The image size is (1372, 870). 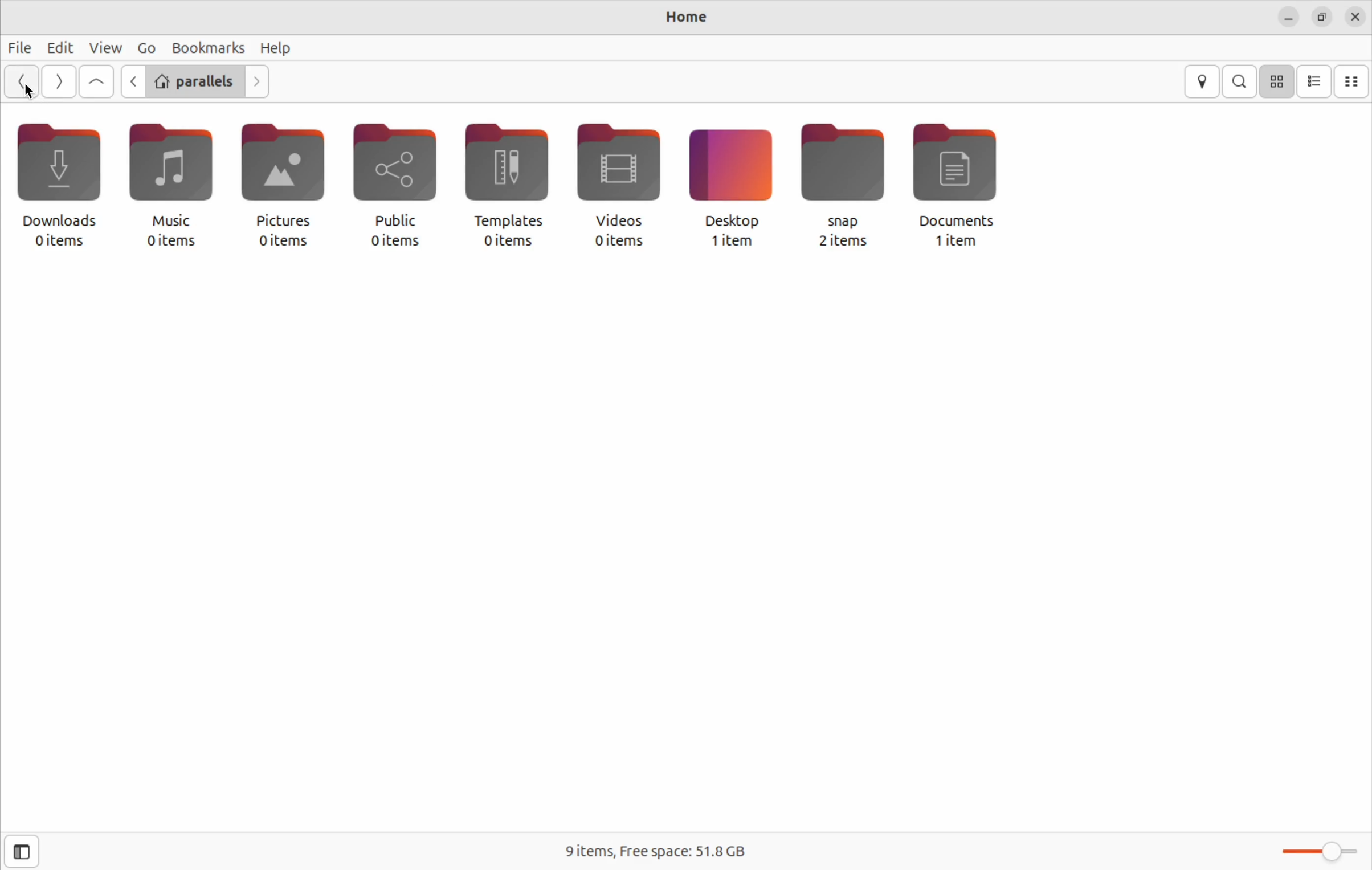 What do you see at coordinates (1322, 15) in the screenshot?
I see `resize` at bounding box center [1322, 15].